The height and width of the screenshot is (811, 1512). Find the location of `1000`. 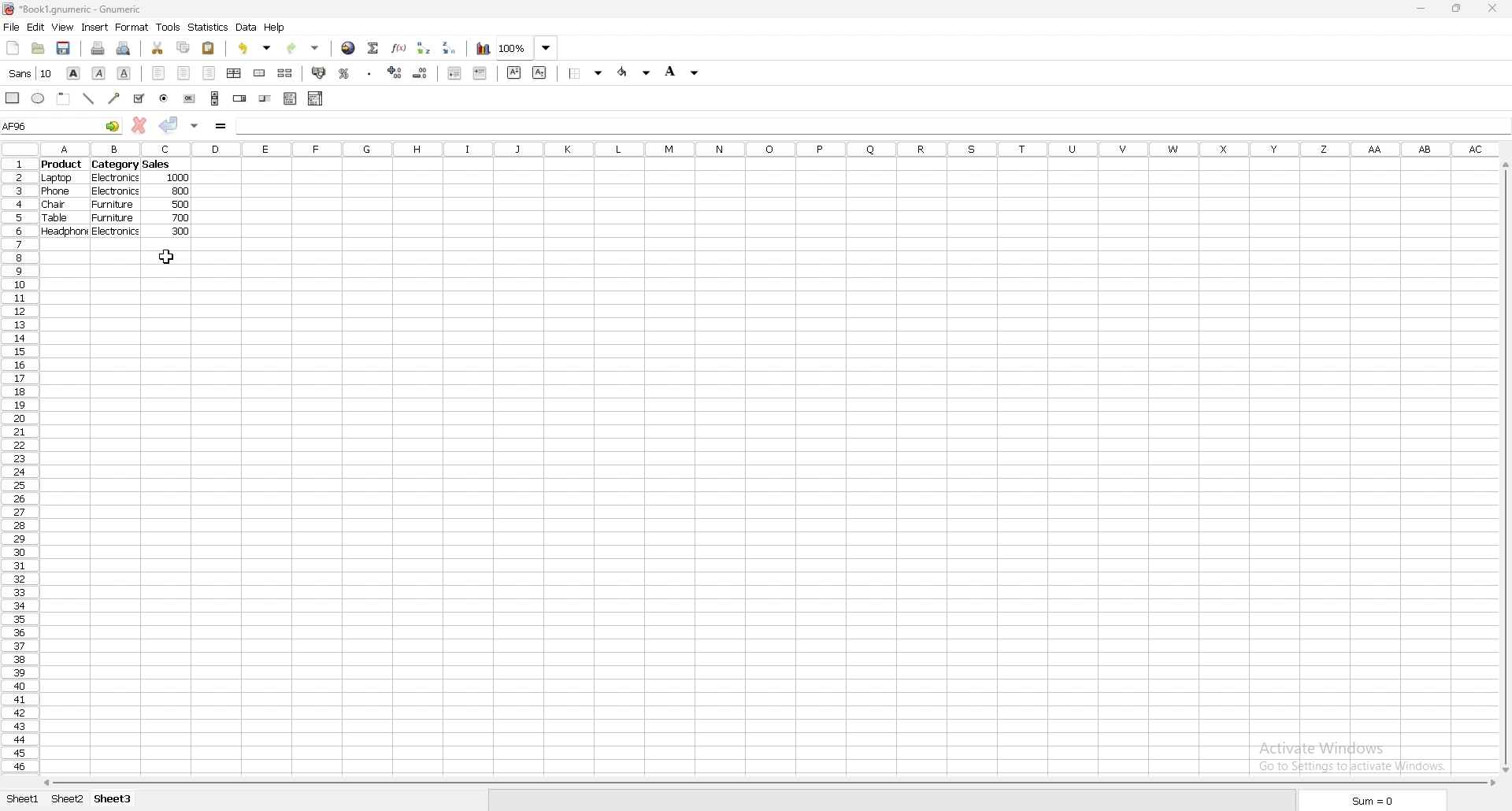

1000 is located at coordinates (180, 179).